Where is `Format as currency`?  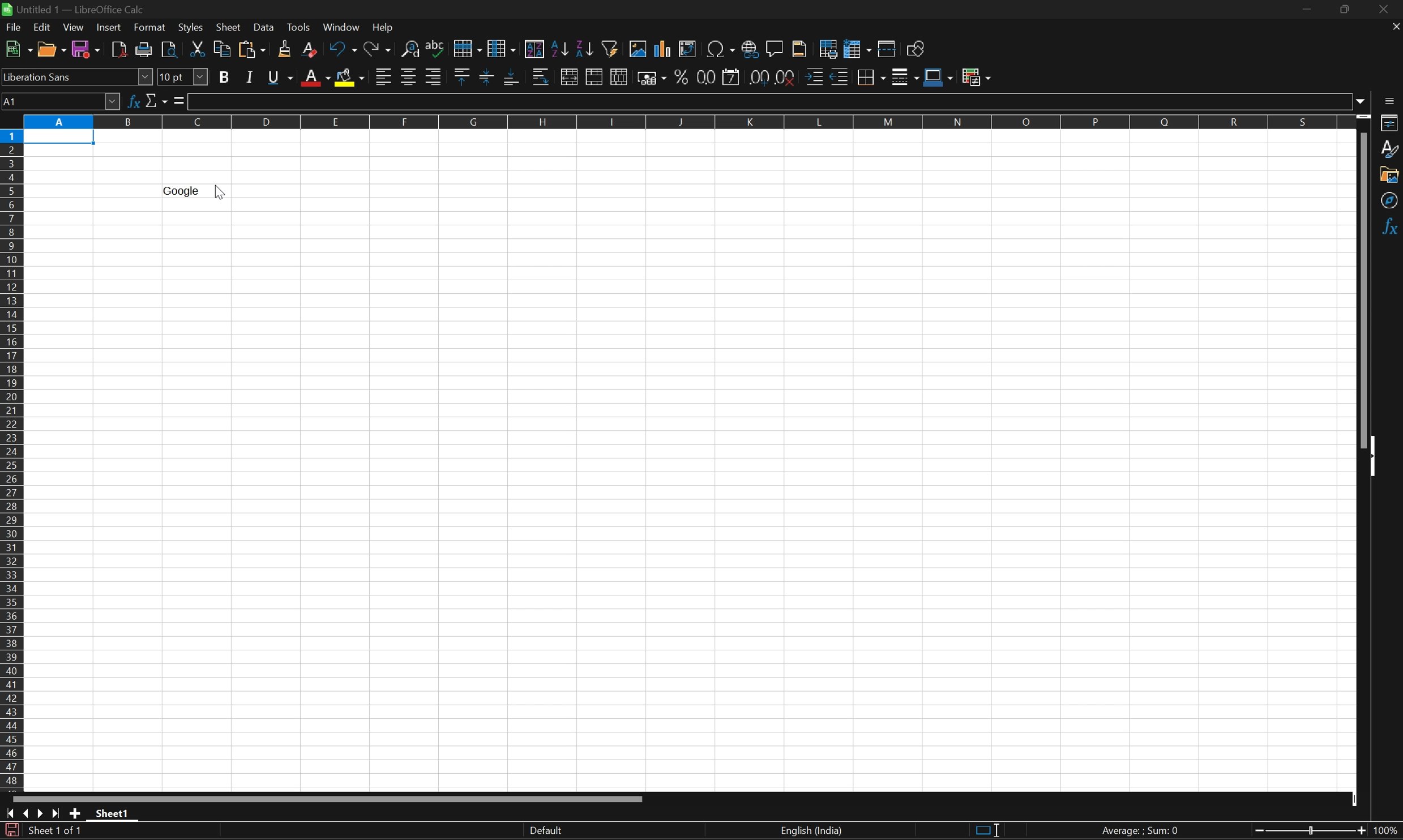 Format as currency is located at coordinates (652, 78).